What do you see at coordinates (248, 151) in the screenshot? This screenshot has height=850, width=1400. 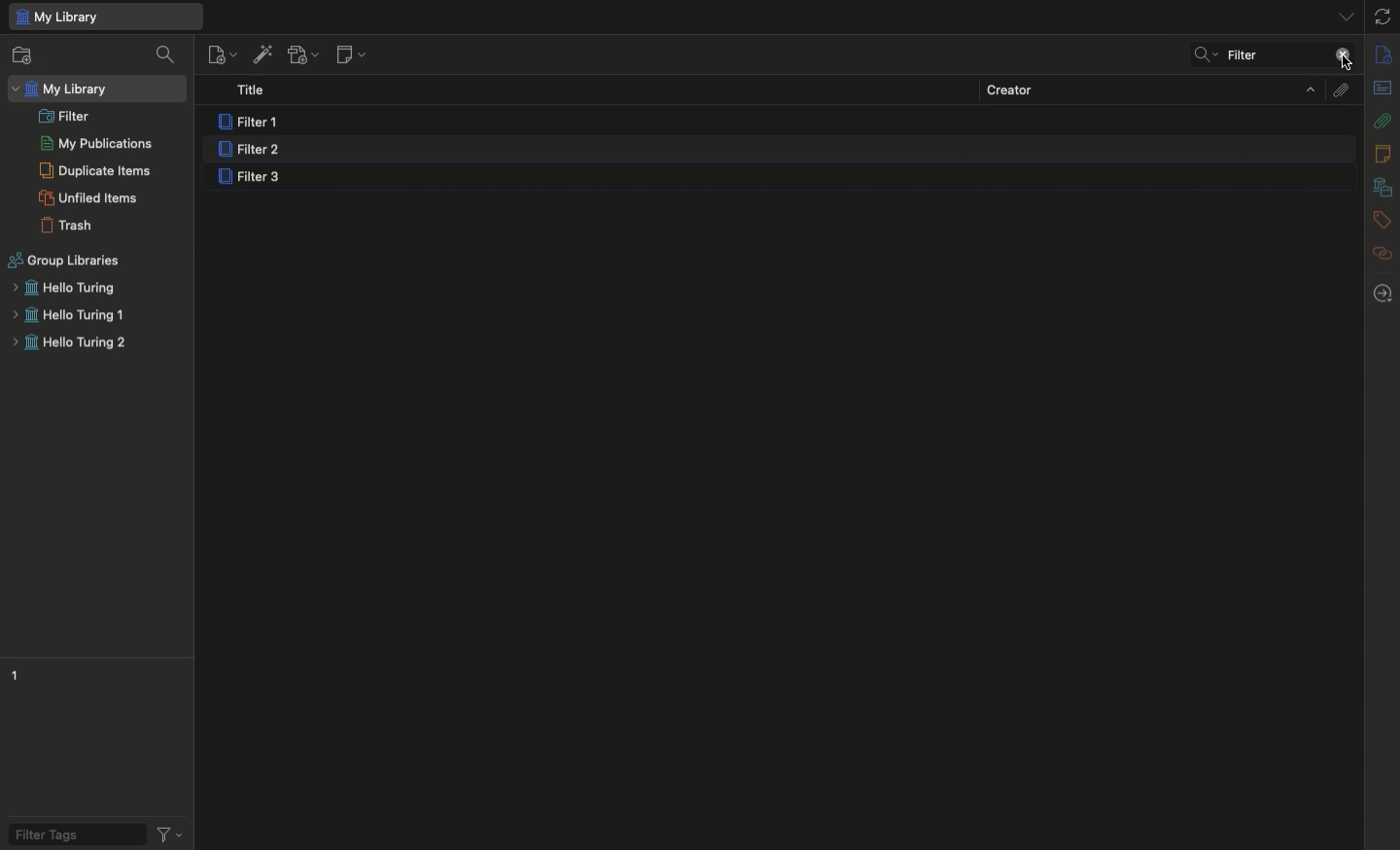 I see `Filter 2` at bounding box center [248, 151].